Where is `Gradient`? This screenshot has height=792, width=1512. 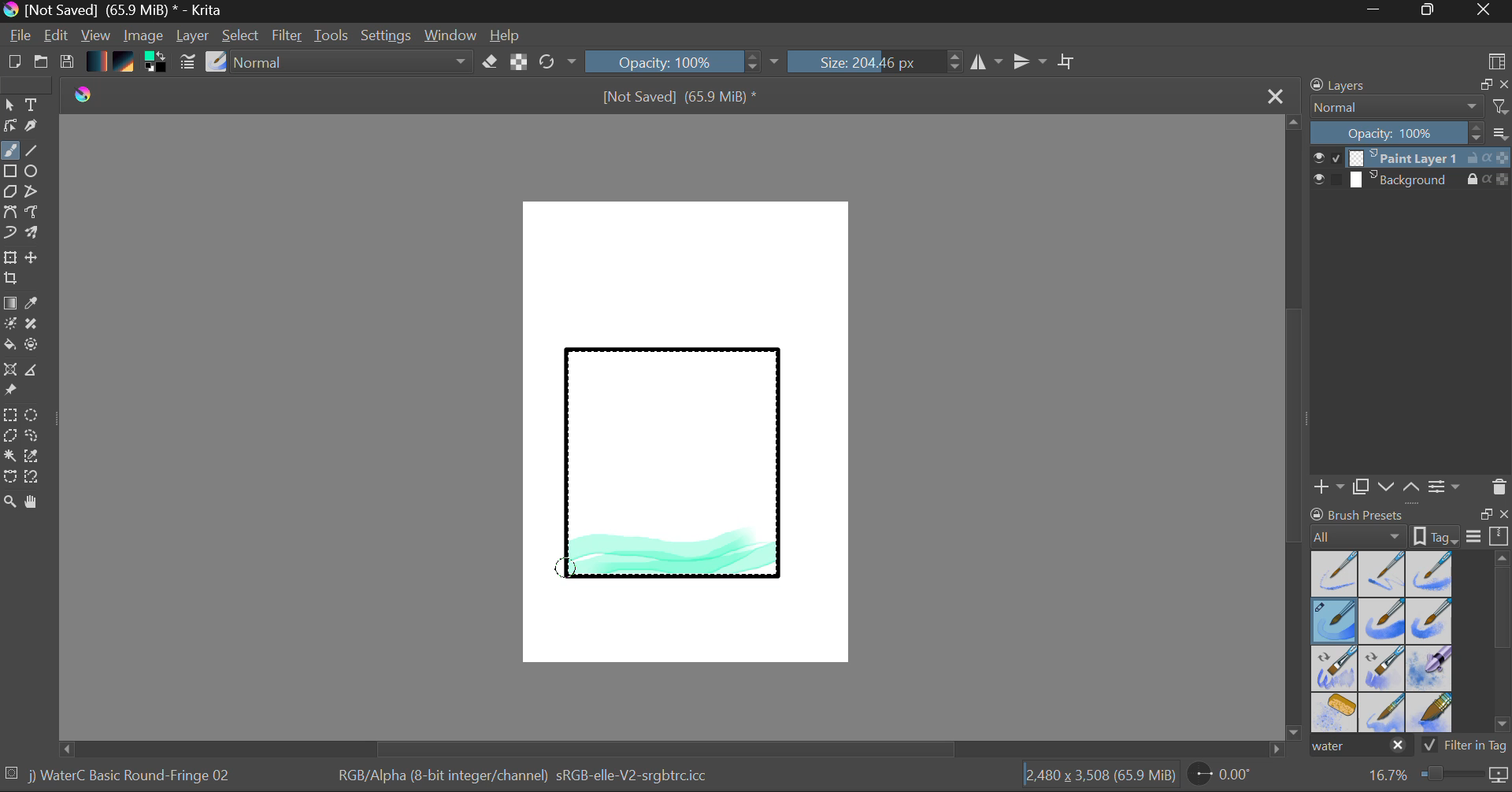 Gradient is located at coordinates (95, 60).